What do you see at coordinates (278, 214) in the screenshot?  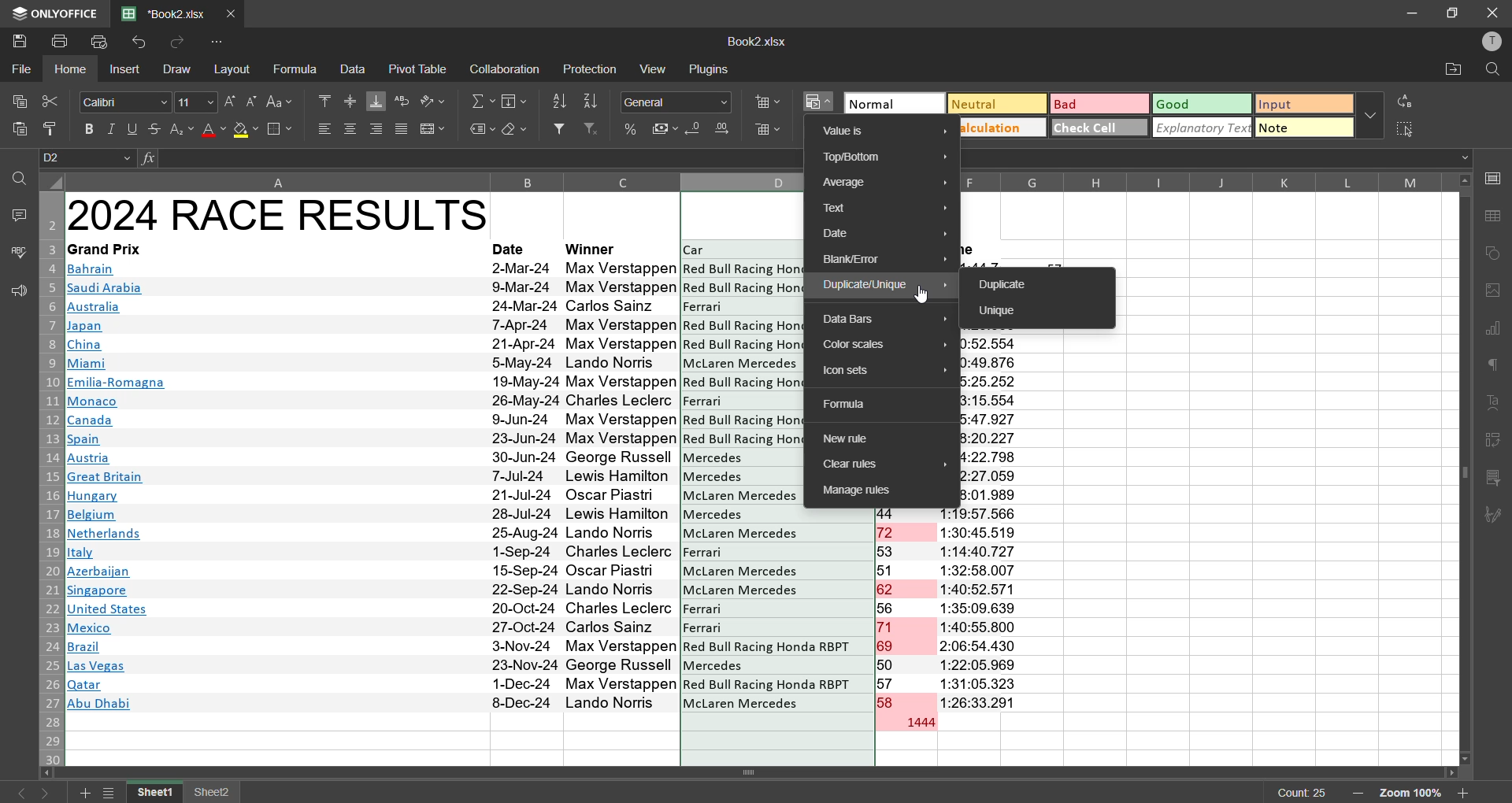 I see `race results ` at bounding box center [278, 214].